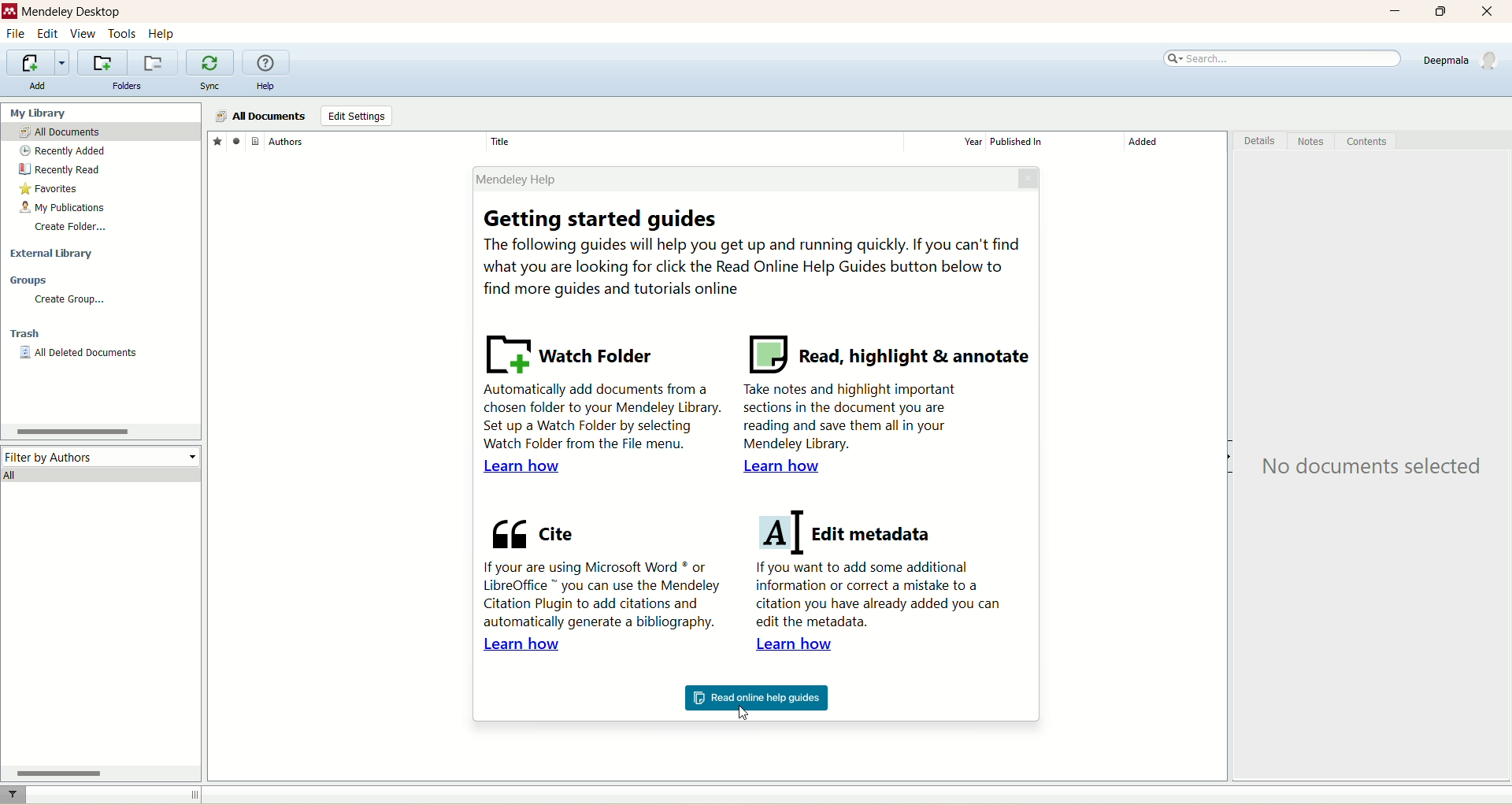  Describe the element at coordinates (755, 267) in the screenshot. I see `The following guides will help you get up and running quickly. If you can't find what you're looking for, click the Read Online Help Guides button below to find more guides and tutorials online.` at that location.